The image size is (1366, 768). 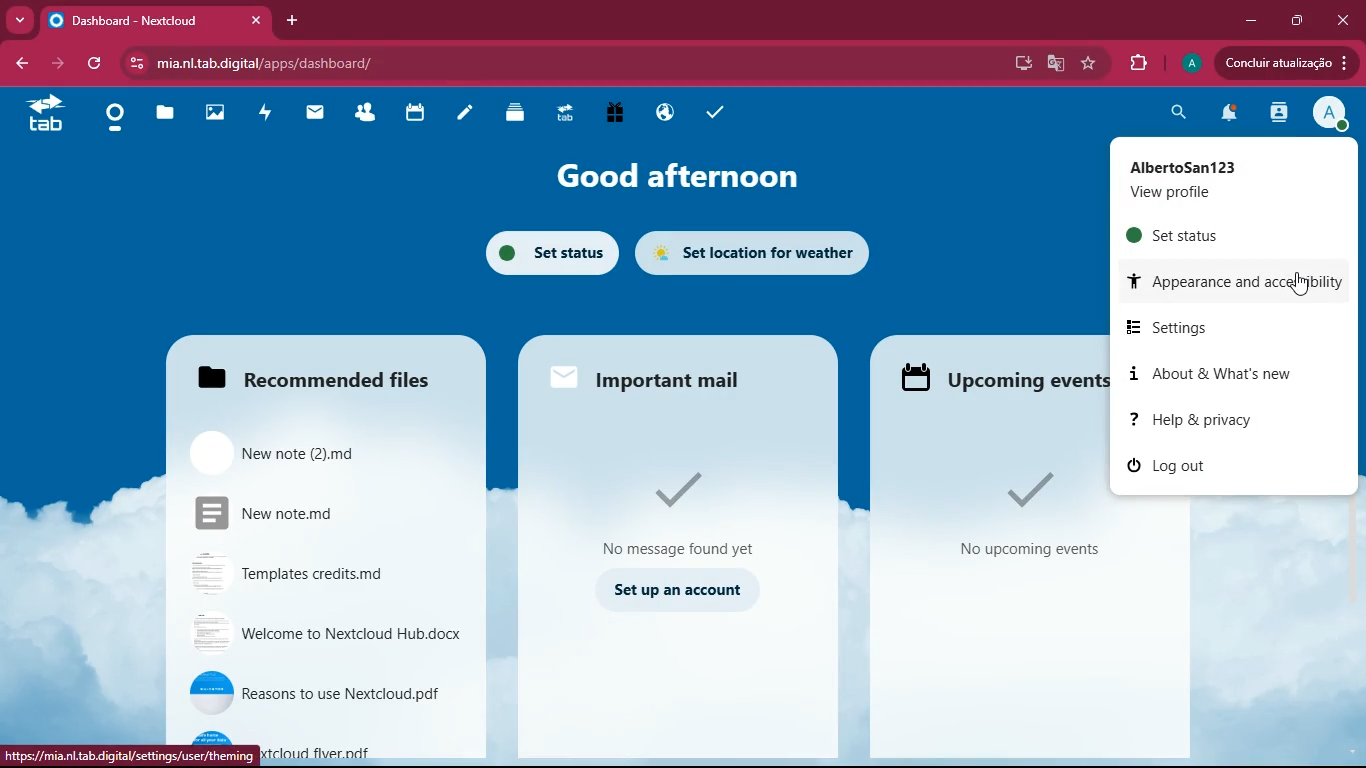 What do you see at coordinates (44, 114) in the screenshot?
I see `tab` at bounding box center [44, 114].